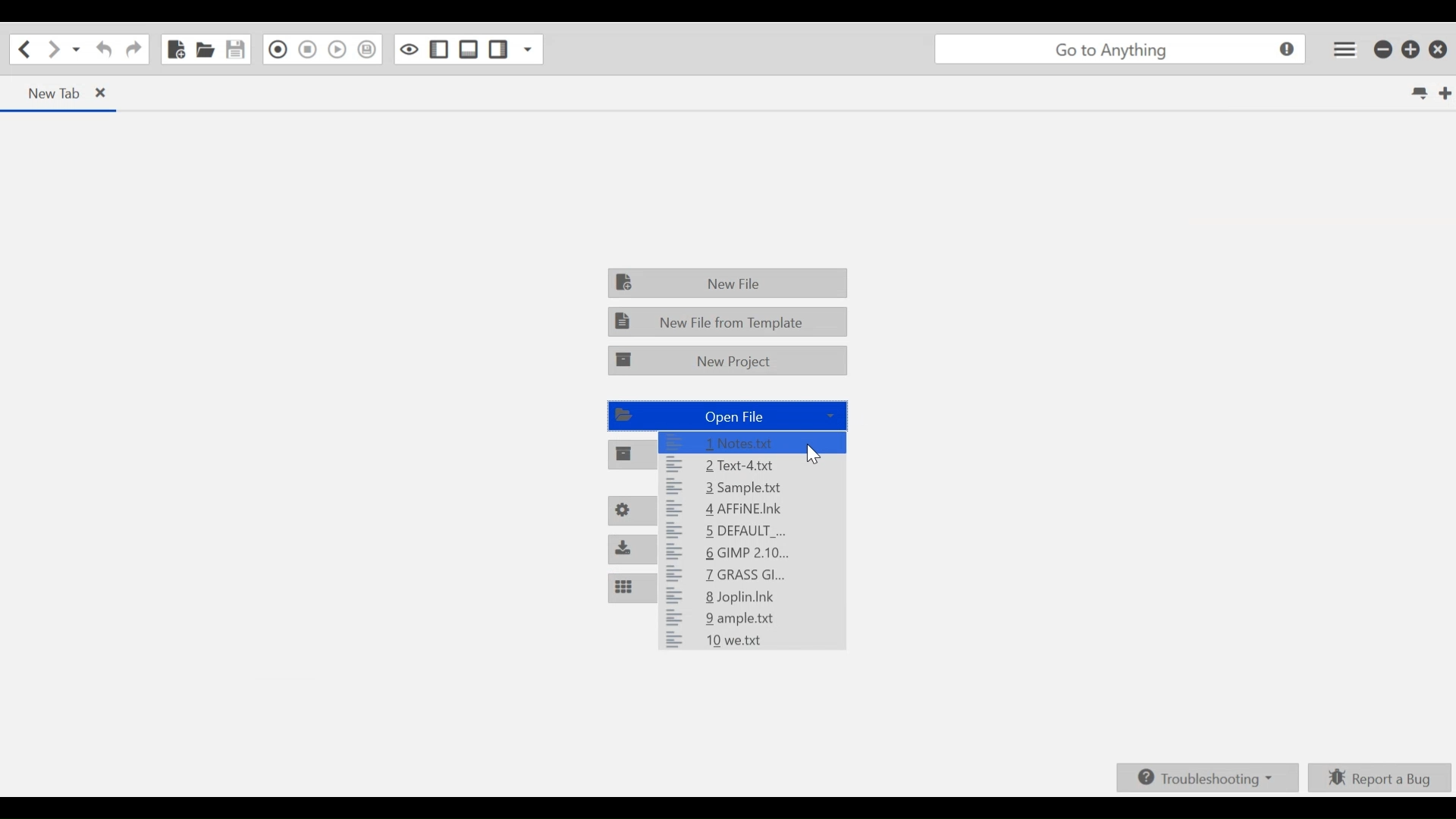  I want to click on Customize Panes, so click(629, 589).